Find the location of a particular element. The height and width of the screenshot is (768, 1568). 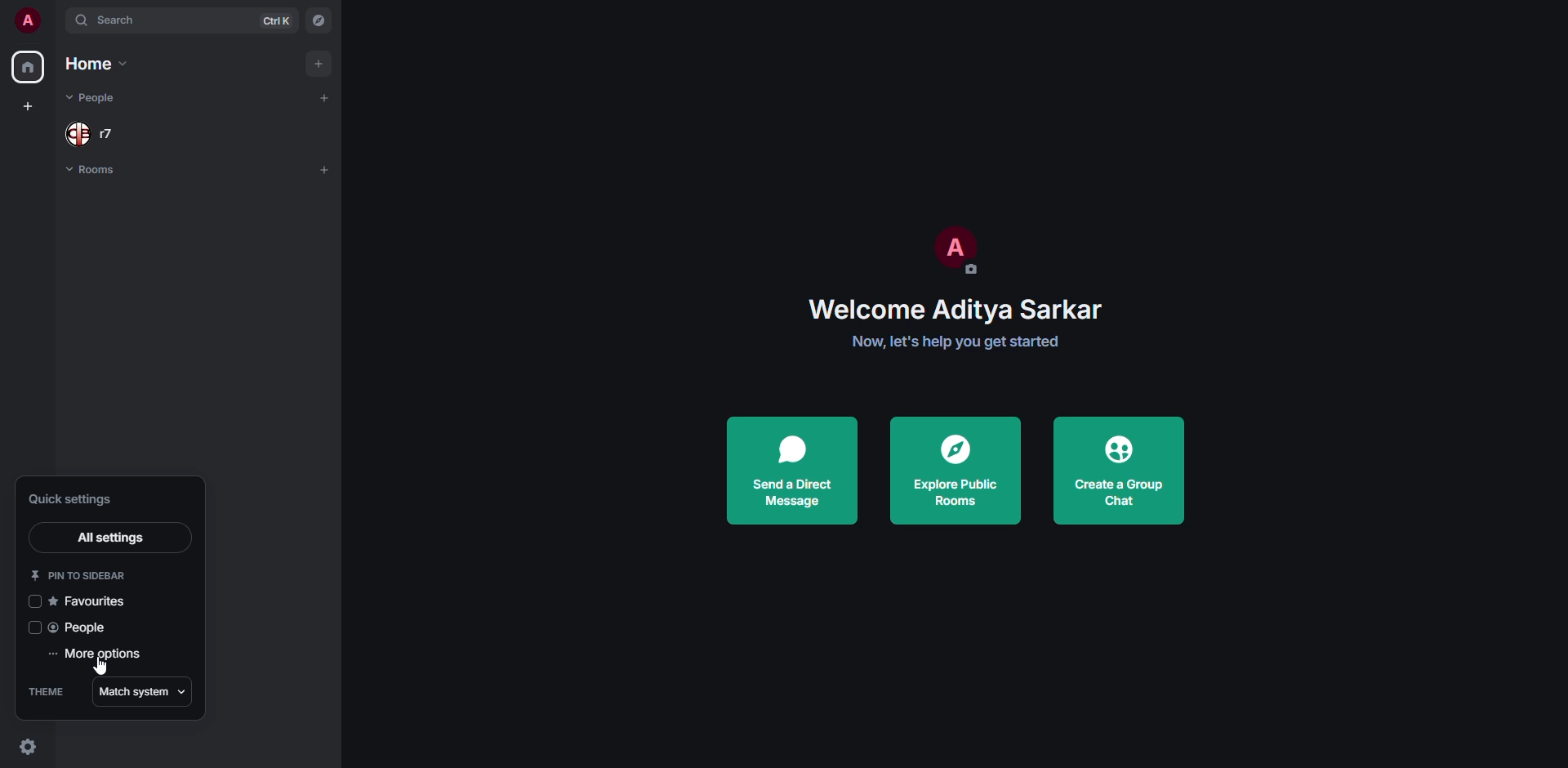

create space is located at coordinates (32, 107).